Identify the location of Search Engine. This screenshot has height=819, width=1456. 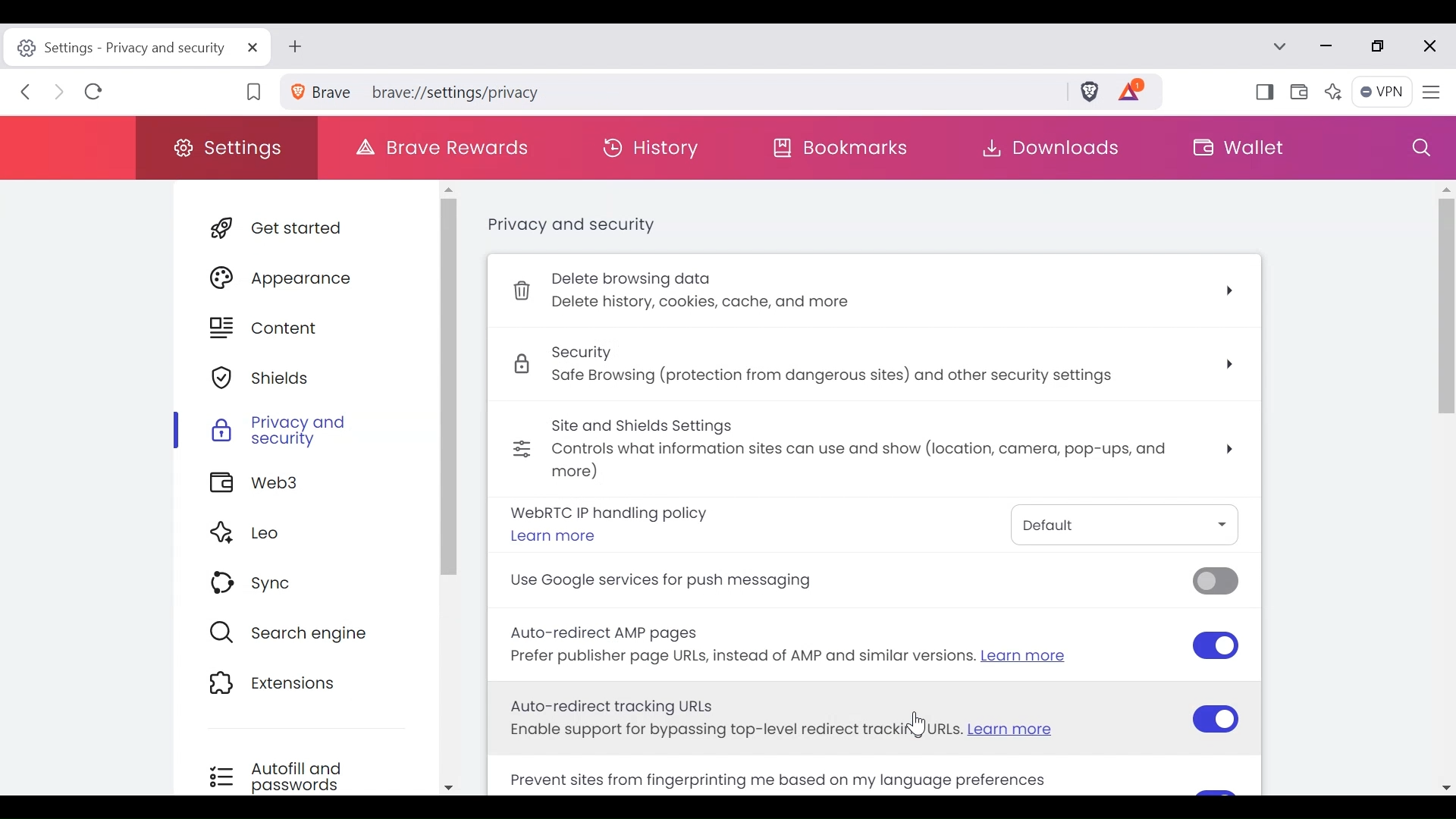
(298, 632).